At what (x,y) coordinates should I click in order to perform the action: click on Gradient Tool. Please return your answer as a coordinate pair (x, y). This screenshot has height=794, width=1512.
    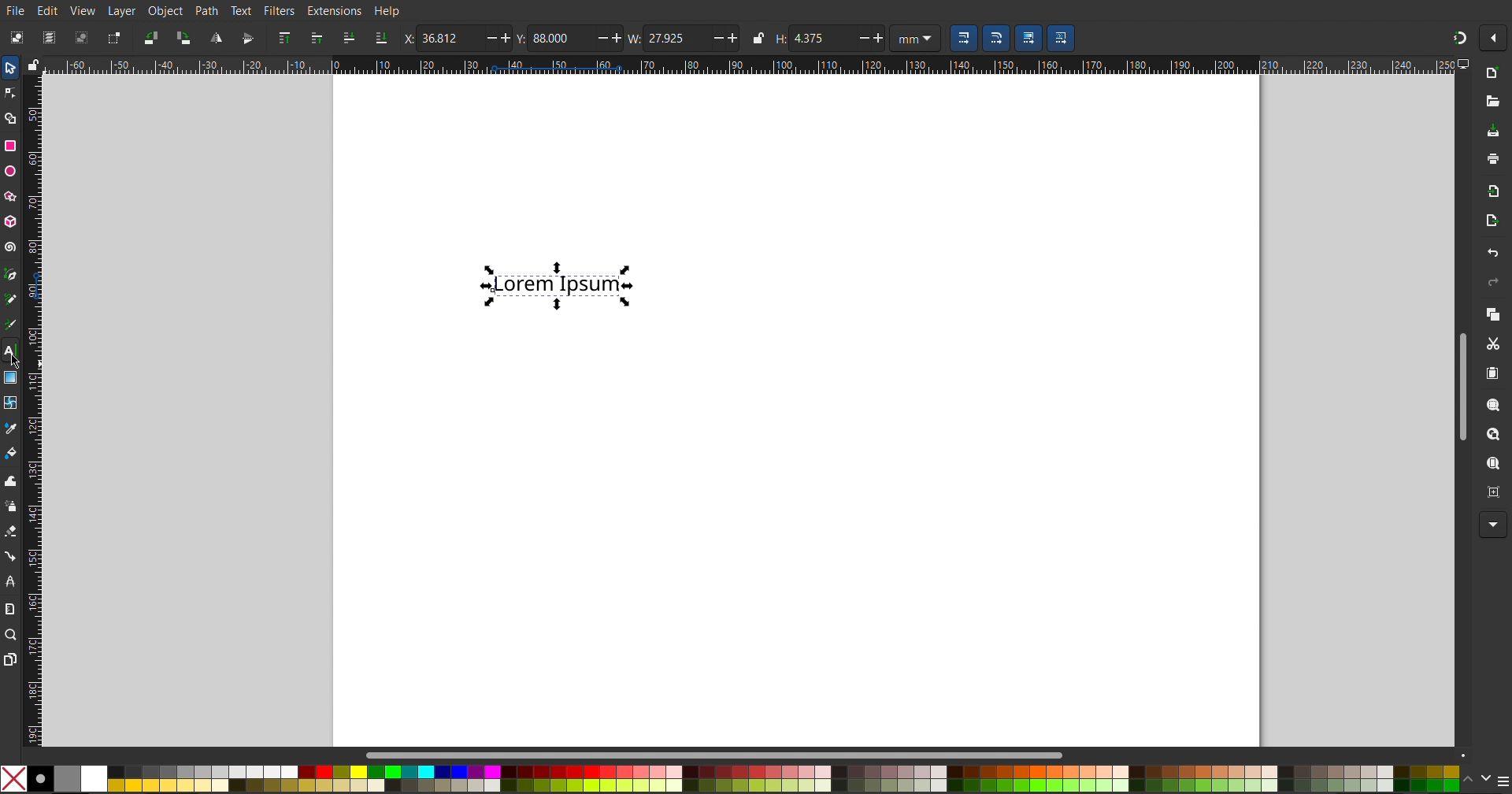
    Looking at the image, I should click on (11, 374).